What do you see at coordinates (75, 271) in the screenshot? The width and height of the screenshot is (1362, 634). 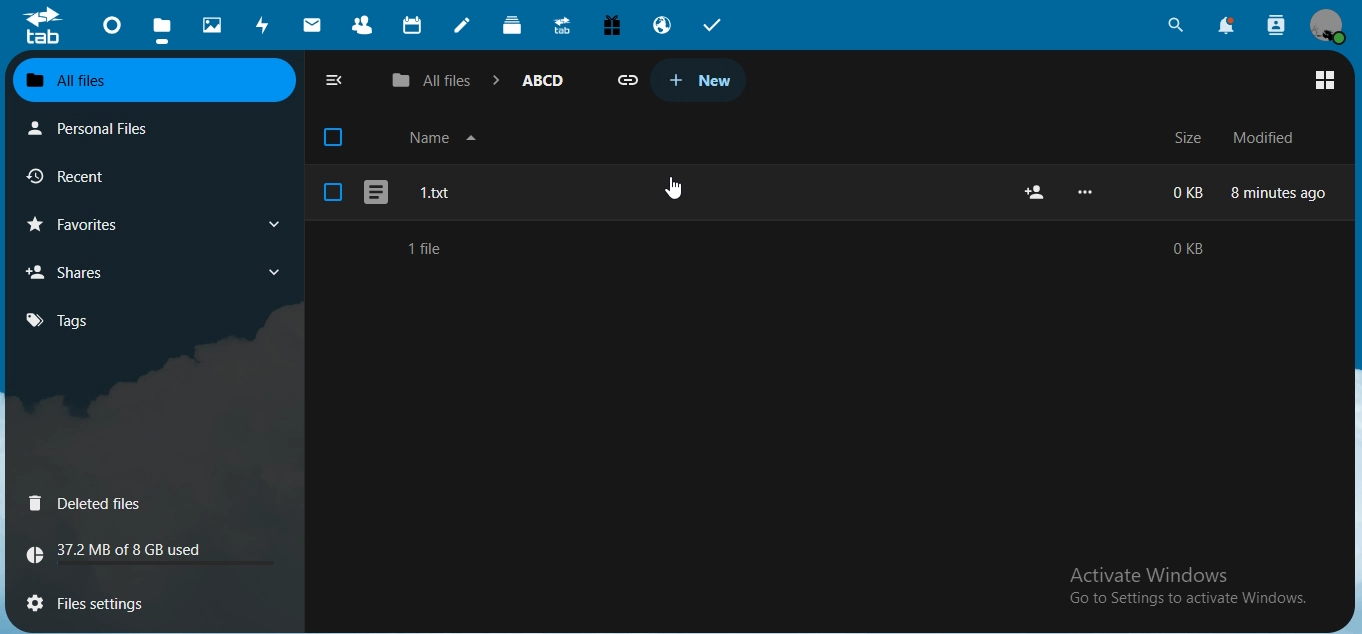 I see `shares` at bounding box center [75, 271].